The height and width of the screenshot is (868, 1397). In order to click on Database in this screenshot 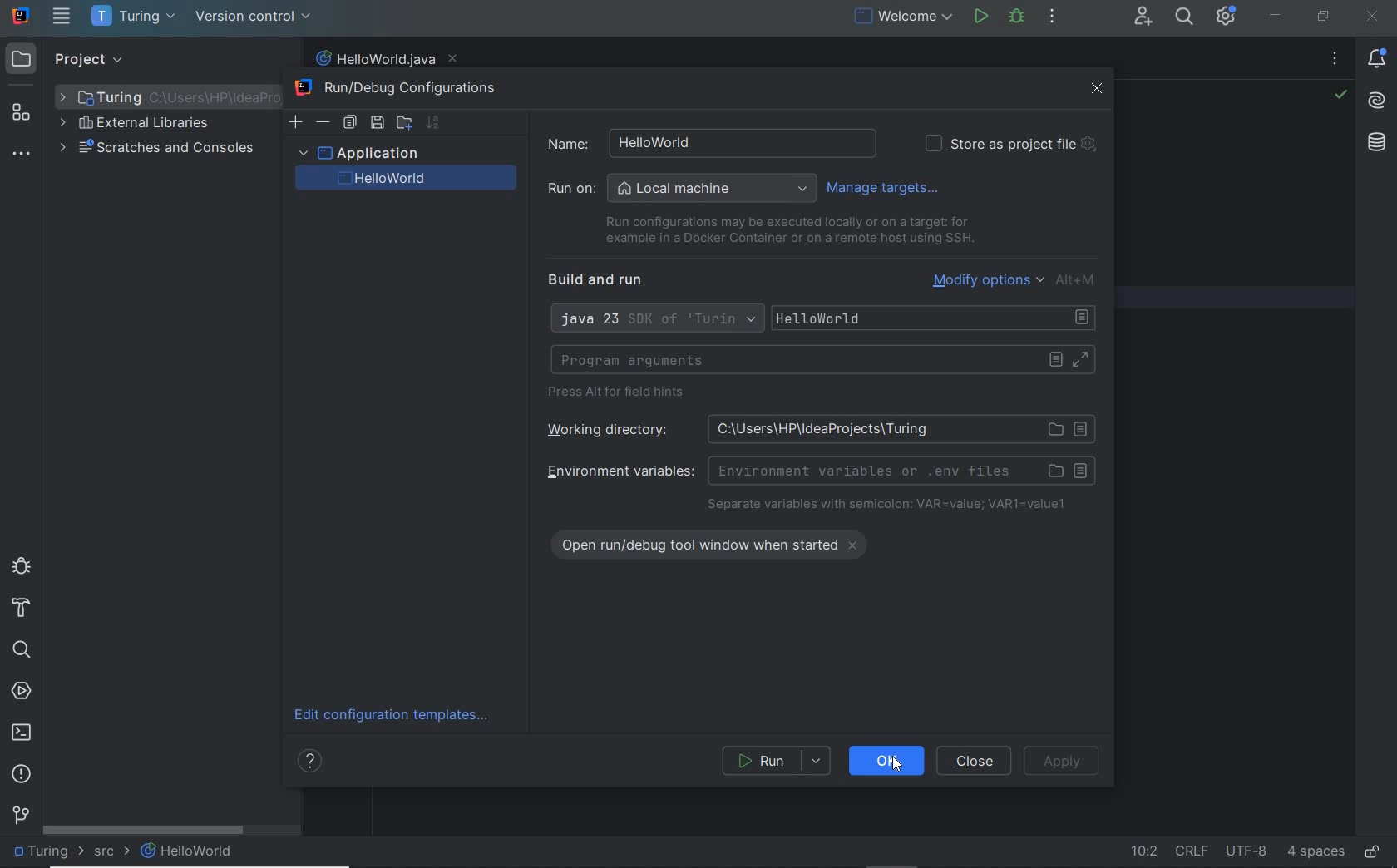, I will do `click(1380, 146)`.